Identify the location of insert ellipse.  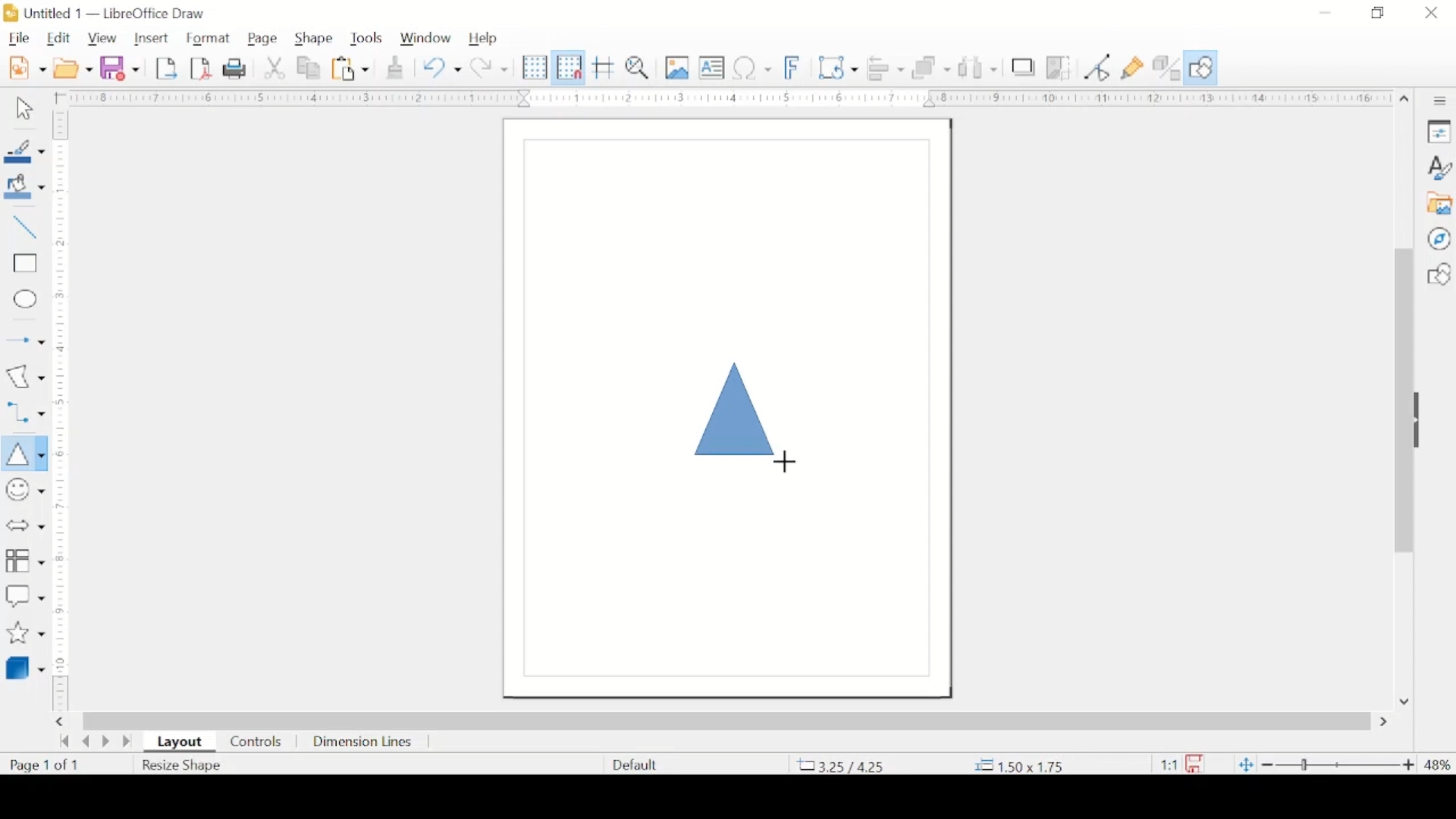
(24, 300).